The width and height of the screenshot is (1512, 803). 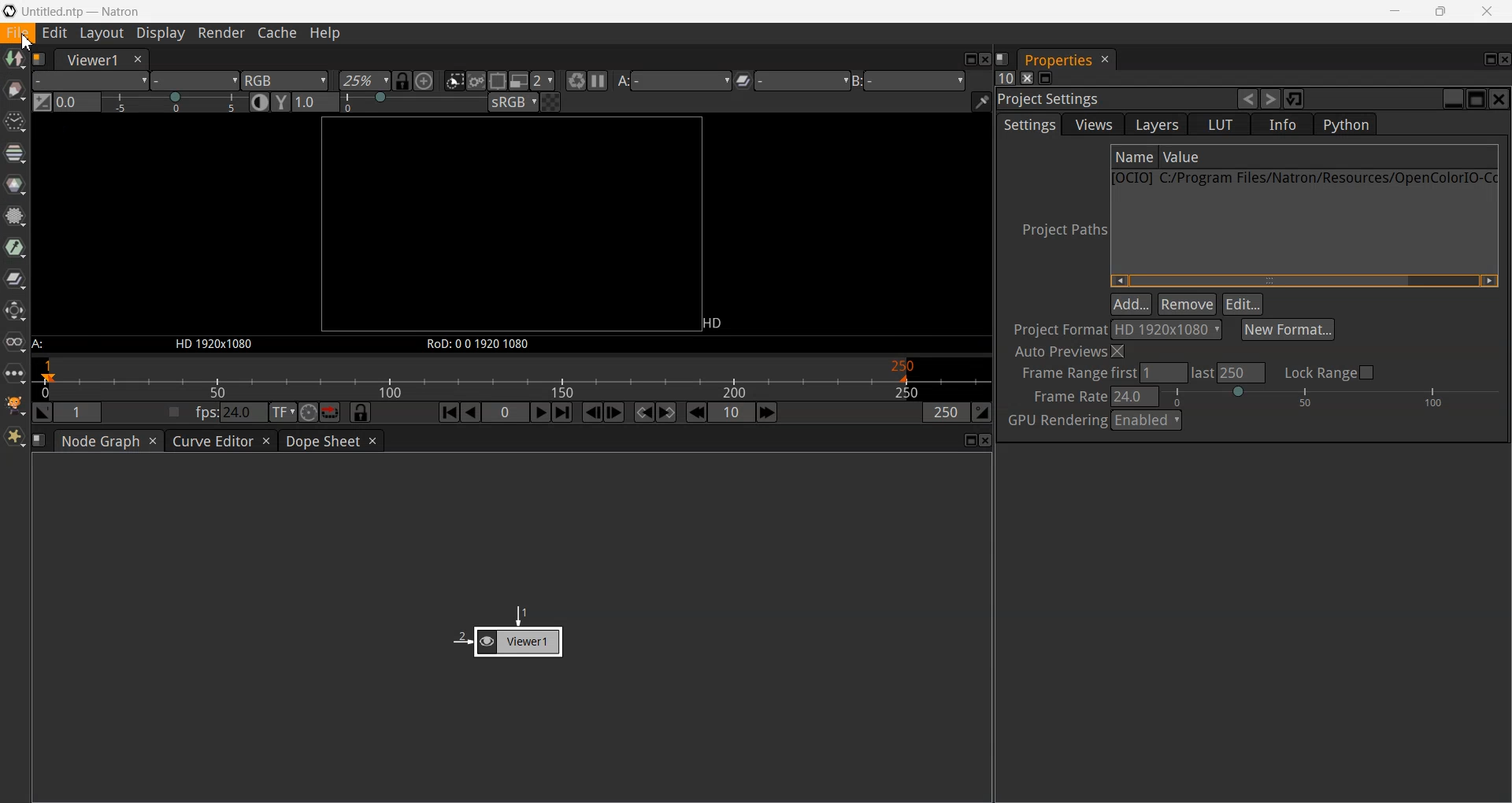 I want to click on Views, so click(x=15, y=342).